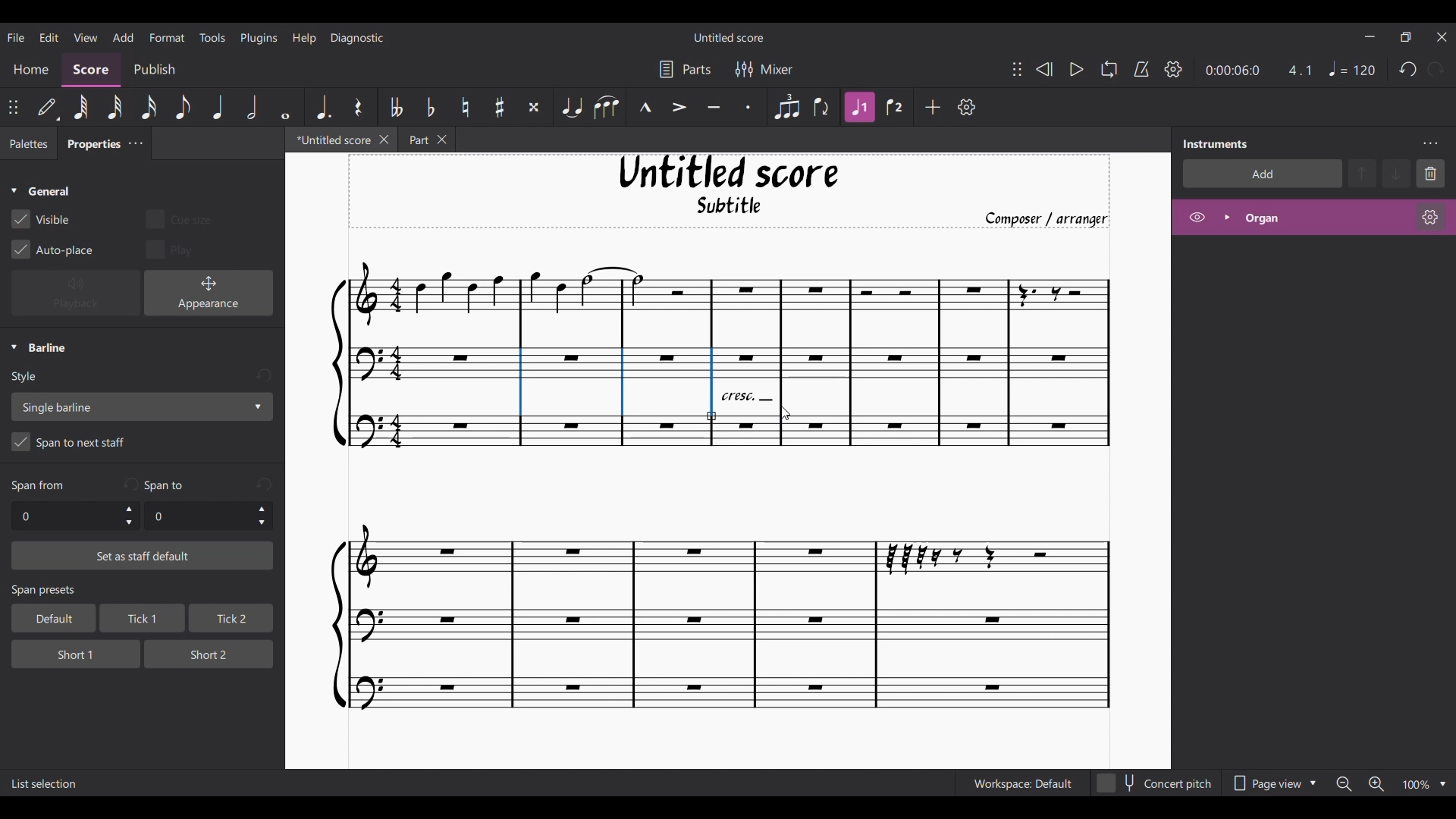  I want to click on Metronome, so click(1141, 69).